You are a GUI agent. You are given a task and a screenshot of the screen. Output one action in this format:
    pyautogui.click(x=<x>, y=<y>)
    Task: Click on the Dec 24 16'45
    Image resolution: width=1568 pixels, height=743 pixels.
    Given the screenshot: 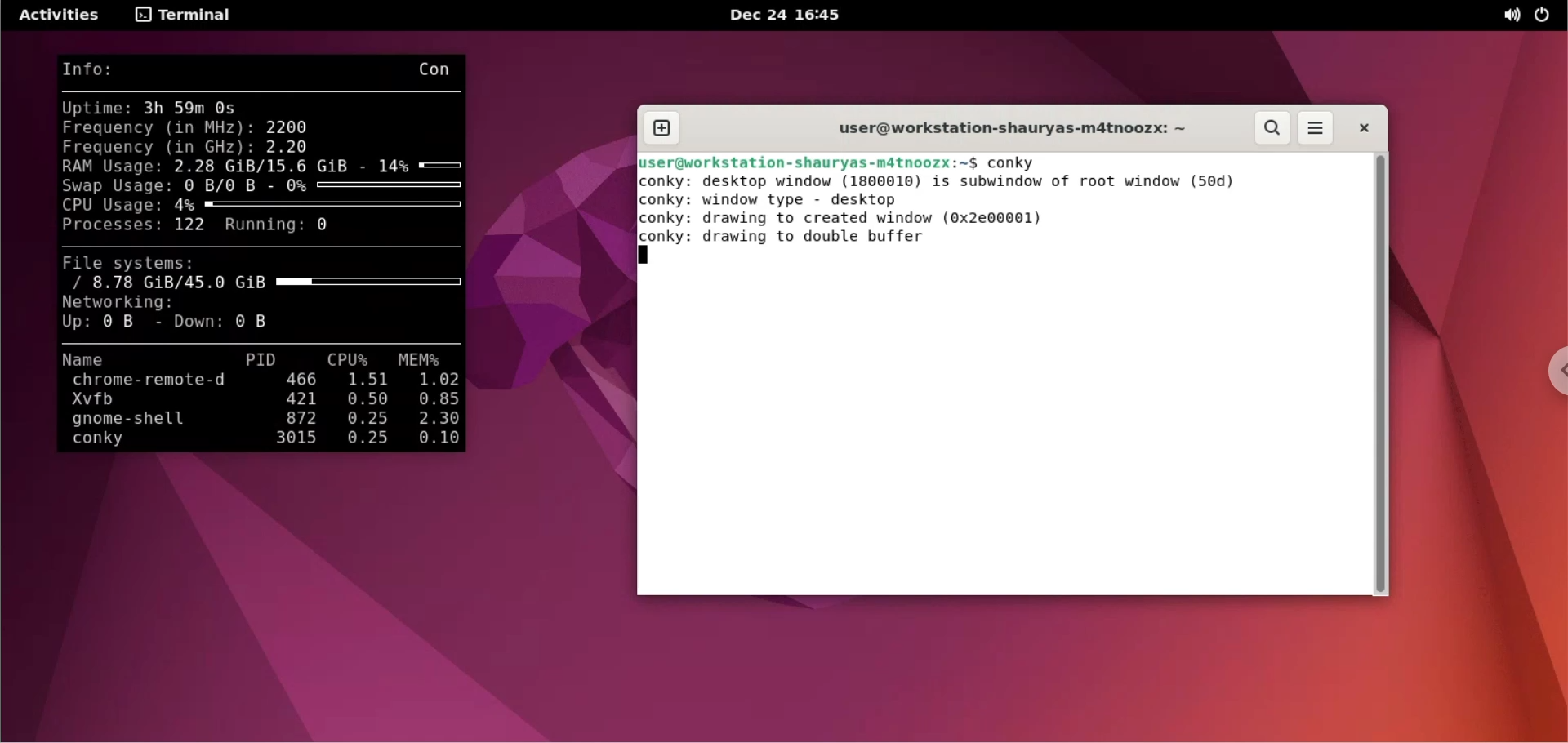 What is the action you would take?
    pyautogui.click(x=788, y=16)
    